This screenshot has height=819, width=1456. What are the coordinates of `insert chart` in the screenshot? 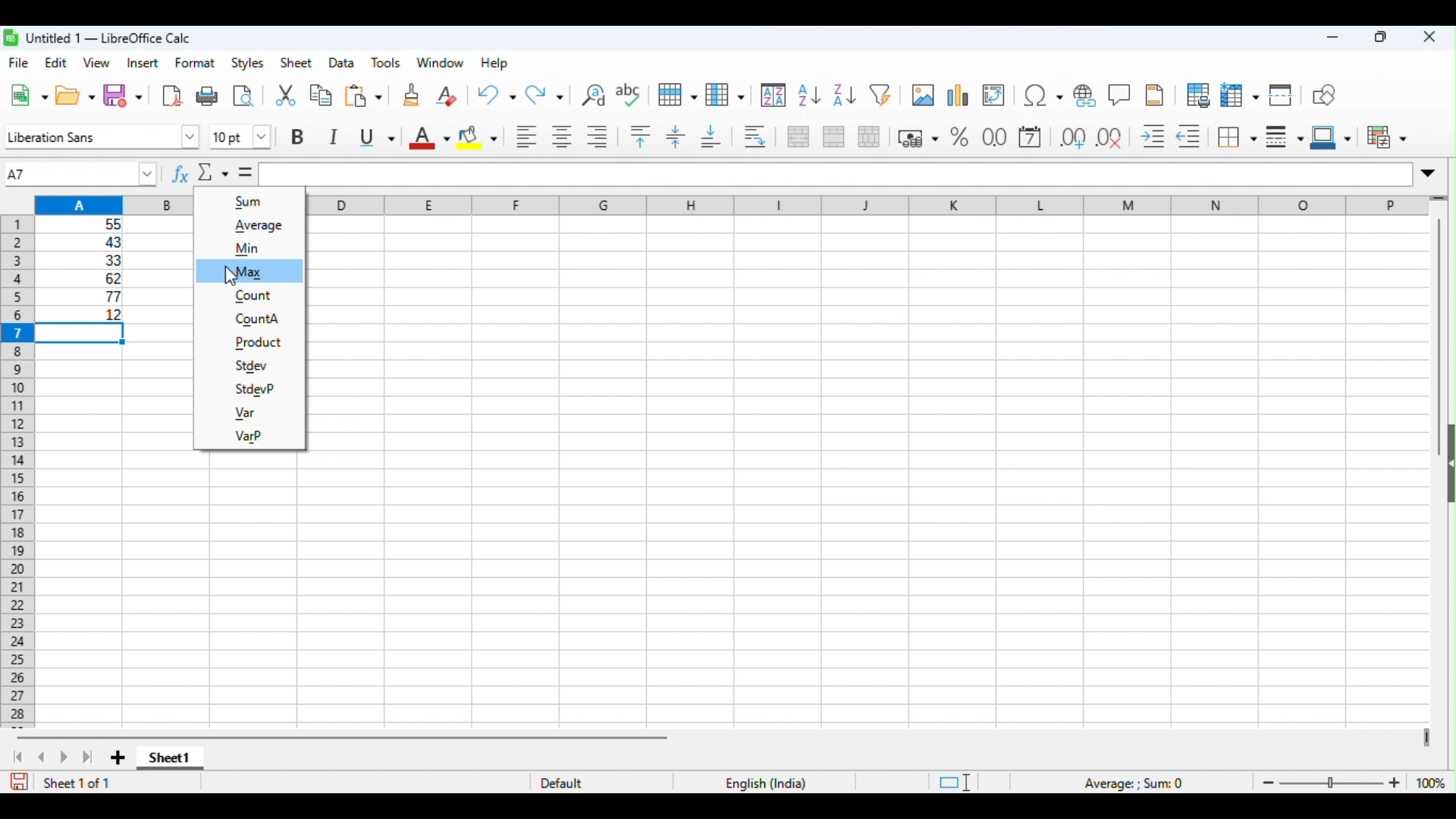 It's located at (960, 93).